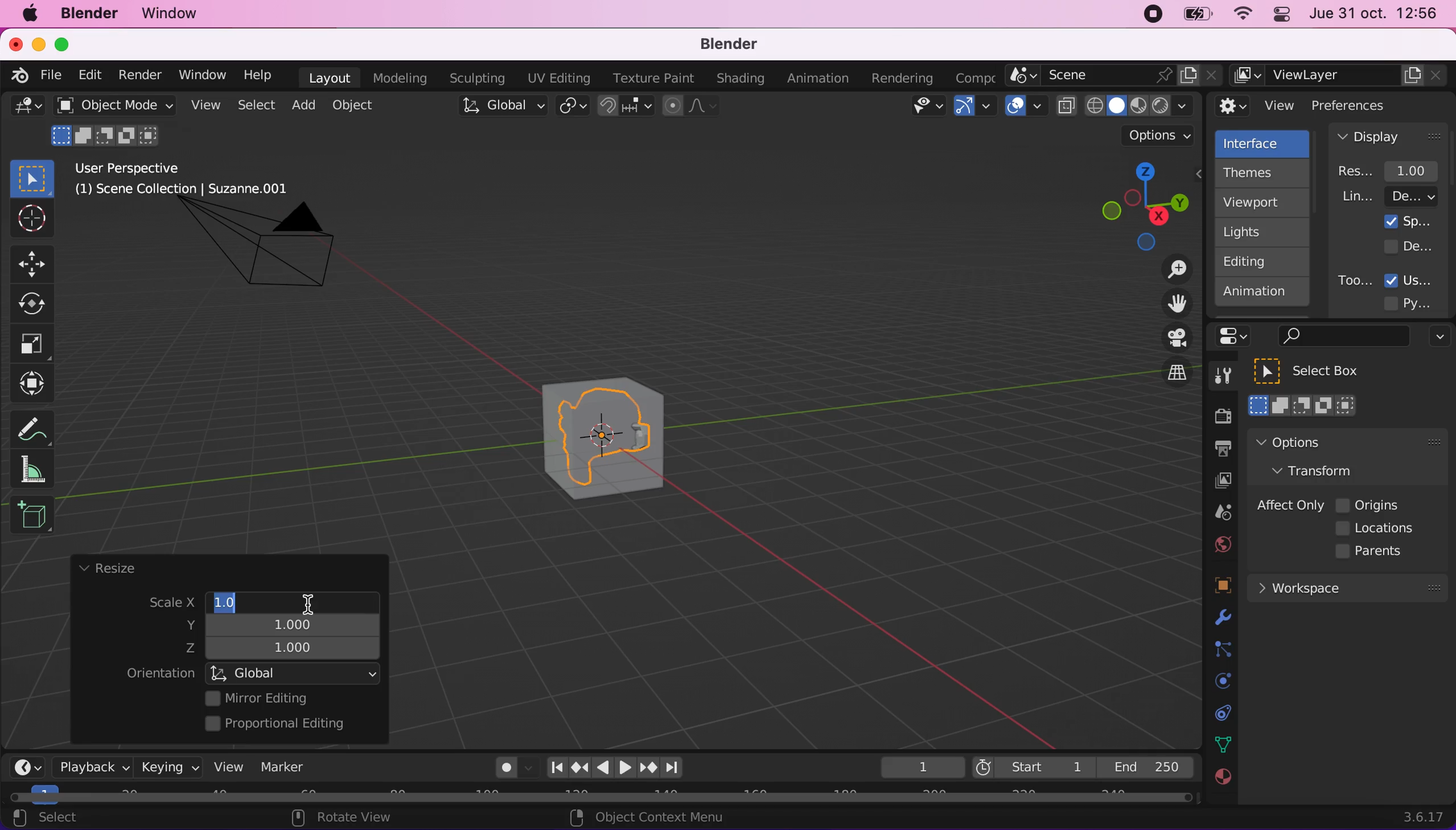 The width and height of the screenshot is (1456, 830). Describe the element at coordinates (615, 768) in the screenshot. I see `play` at that location.